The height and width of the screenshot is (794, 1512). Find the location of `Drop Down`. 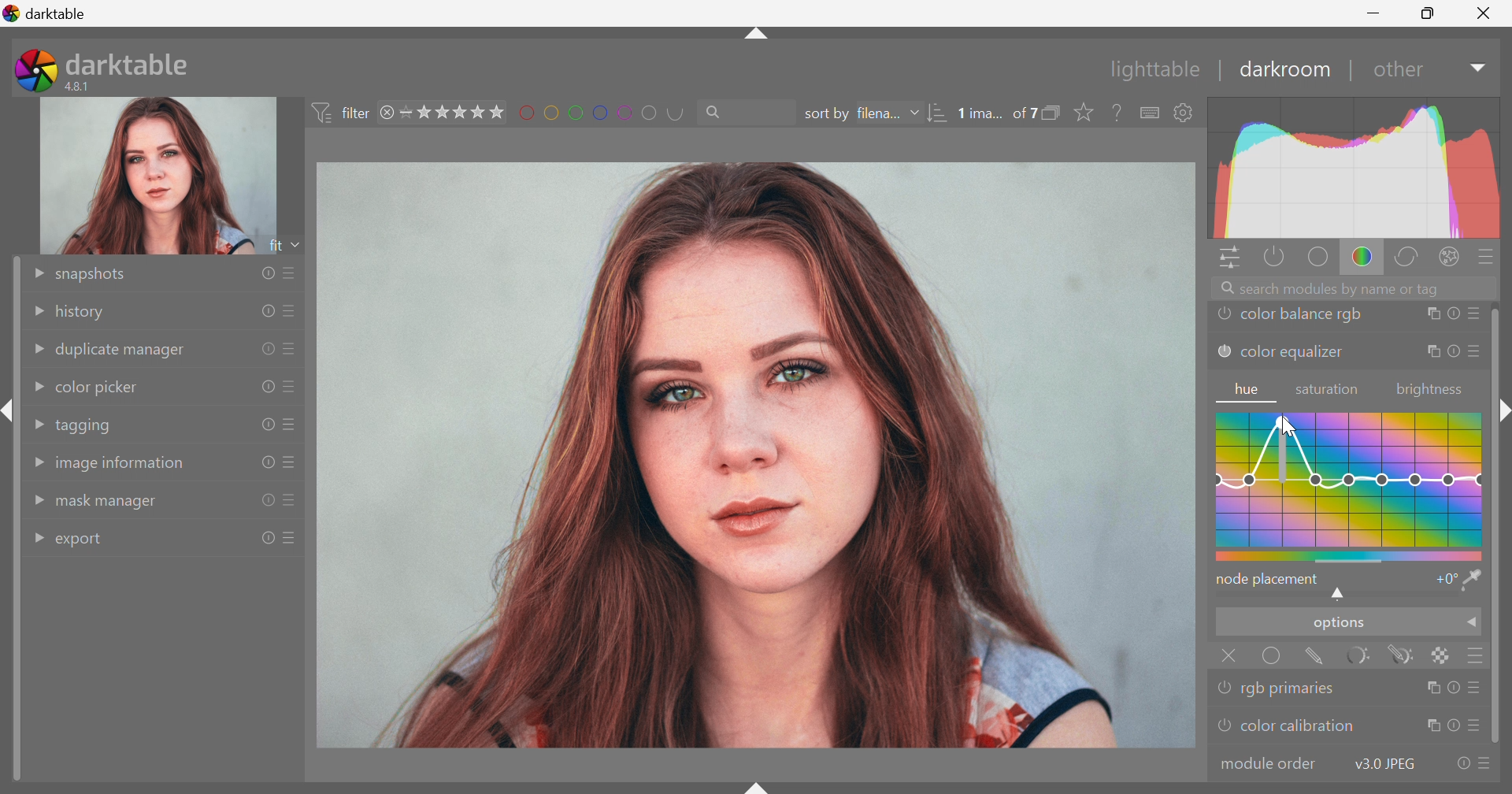

Drop Down is located at coordinates (37, 501).